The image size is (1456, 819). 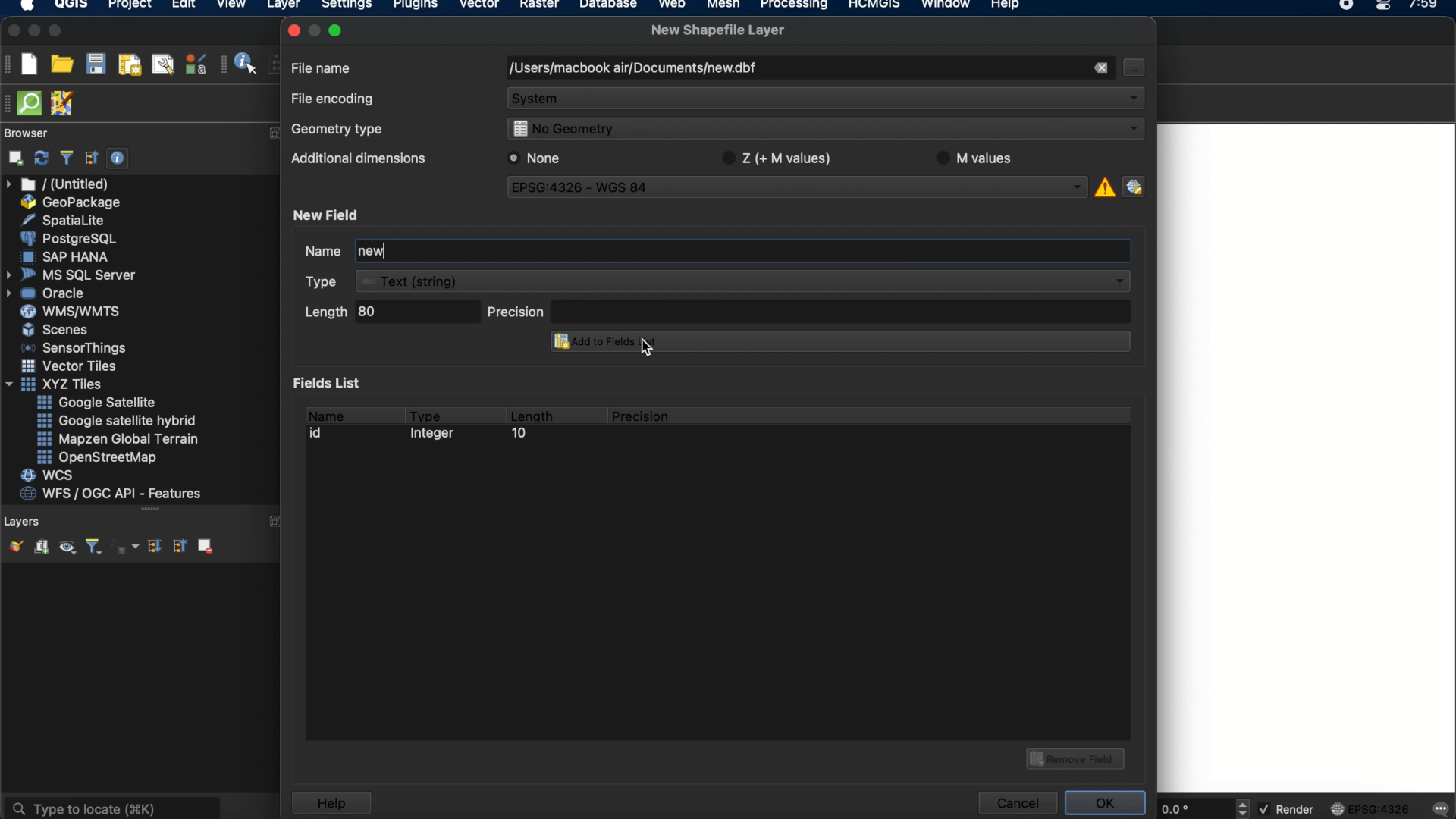 What do you see at coordinates (61, 64) in the screenshot?
I see `open project` at bounding box center [61, 64].